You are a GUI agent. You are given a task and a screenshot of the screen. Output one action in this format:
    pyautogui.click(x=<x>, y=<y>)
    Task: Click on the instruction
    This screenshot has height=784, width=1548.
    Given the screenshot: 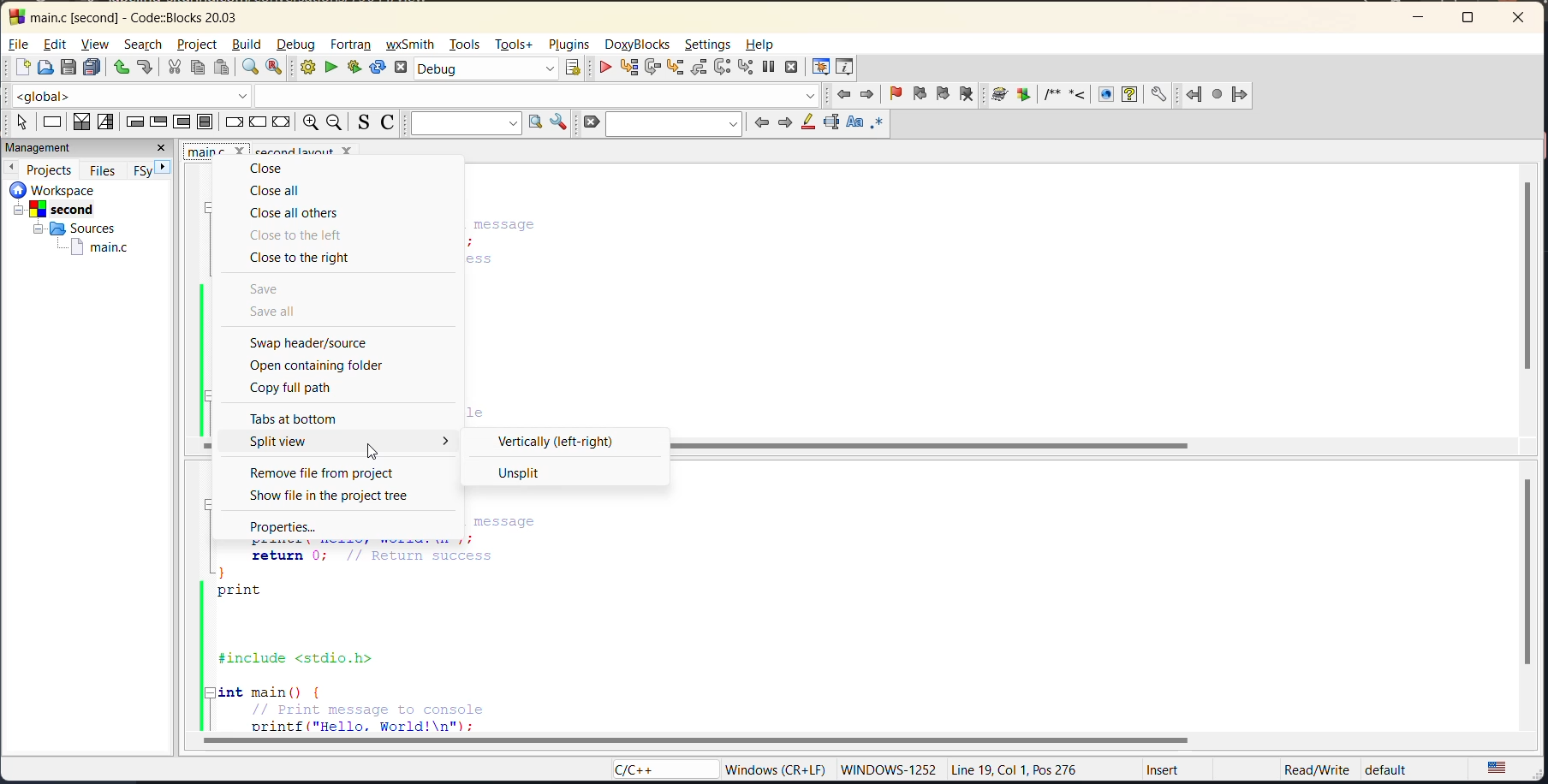 What is the action you would take?
    pyautogui.click(x=54, y=121)
    